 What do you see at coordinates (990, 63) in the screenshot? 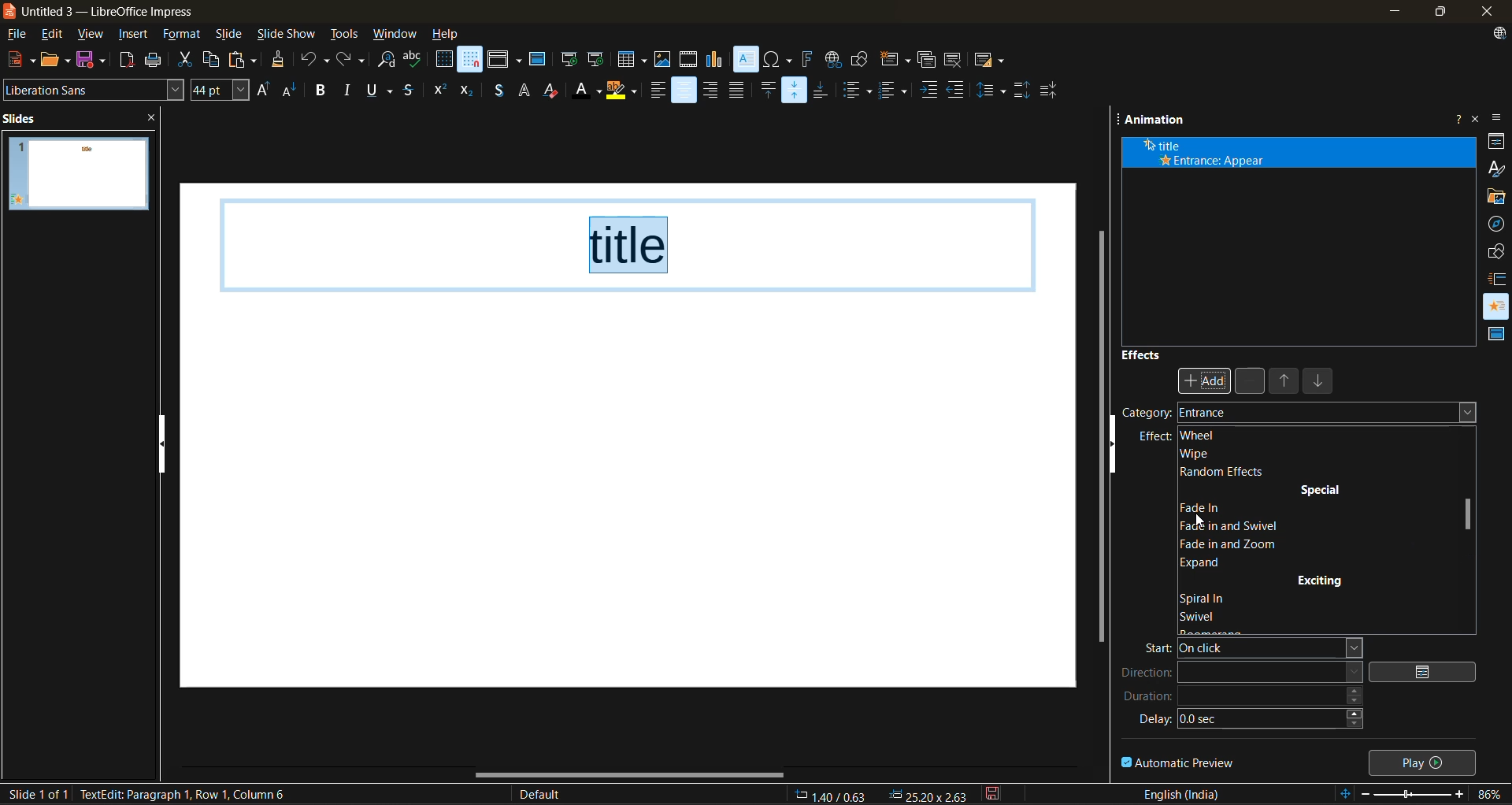
I see `slide layout` at bounding box center [990, 63].